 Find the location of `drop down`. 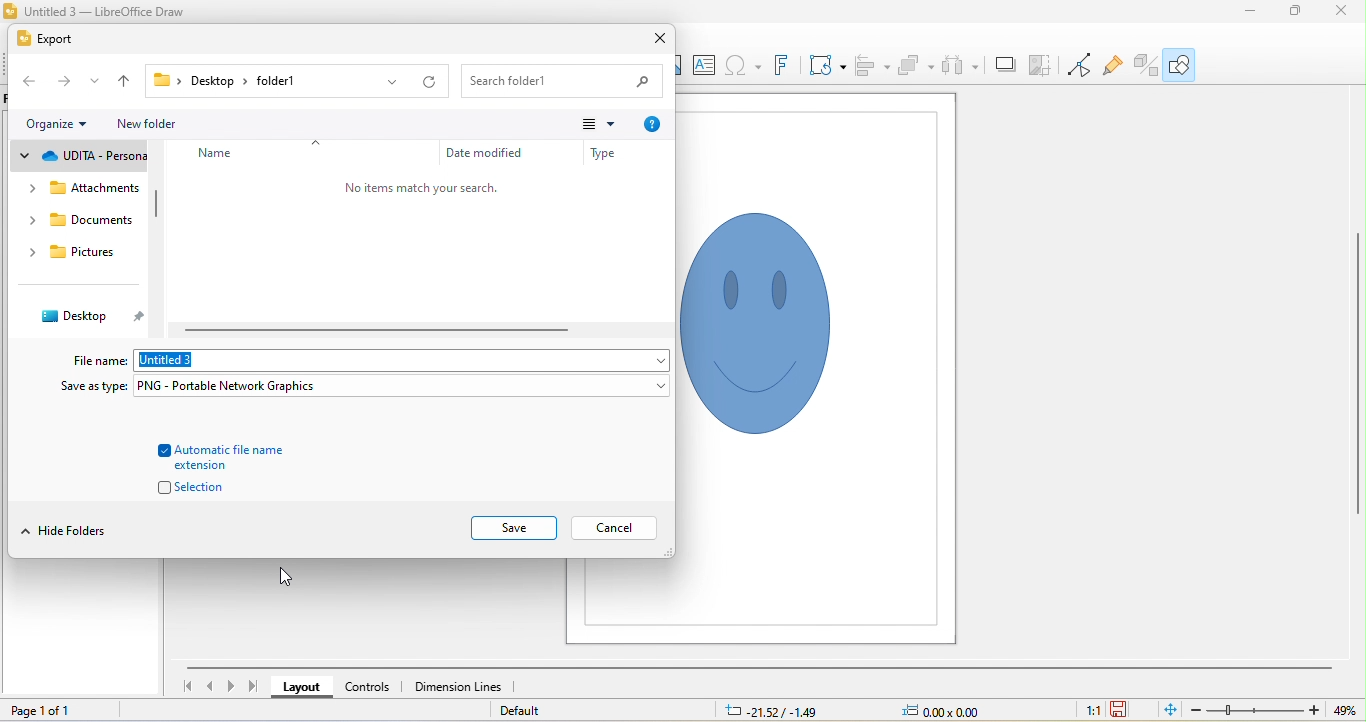

drop down is located at coordinates (395, 84).